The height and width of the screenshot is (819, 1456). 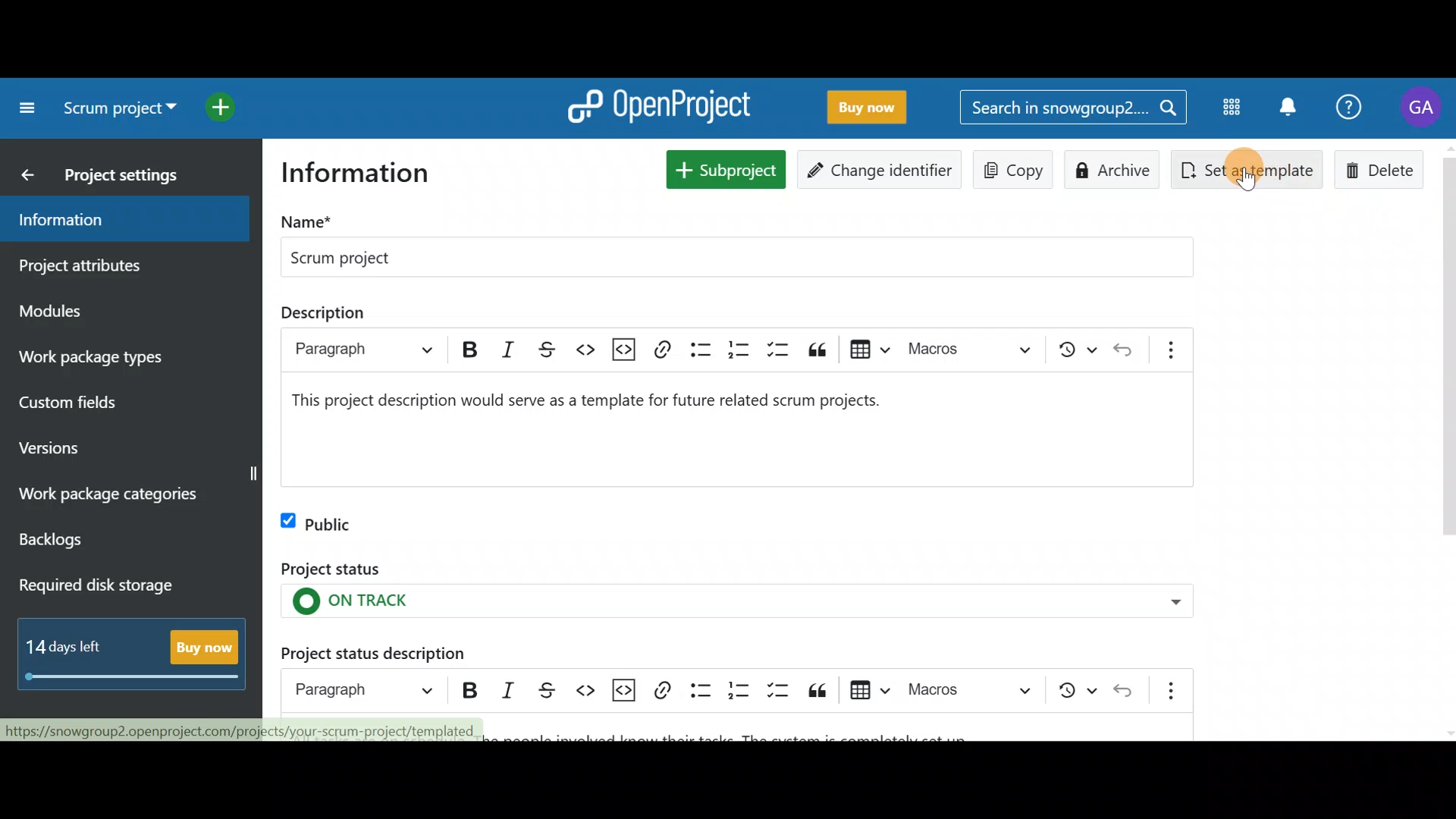 I want to click on Project status description, so click(x=422, y=649).